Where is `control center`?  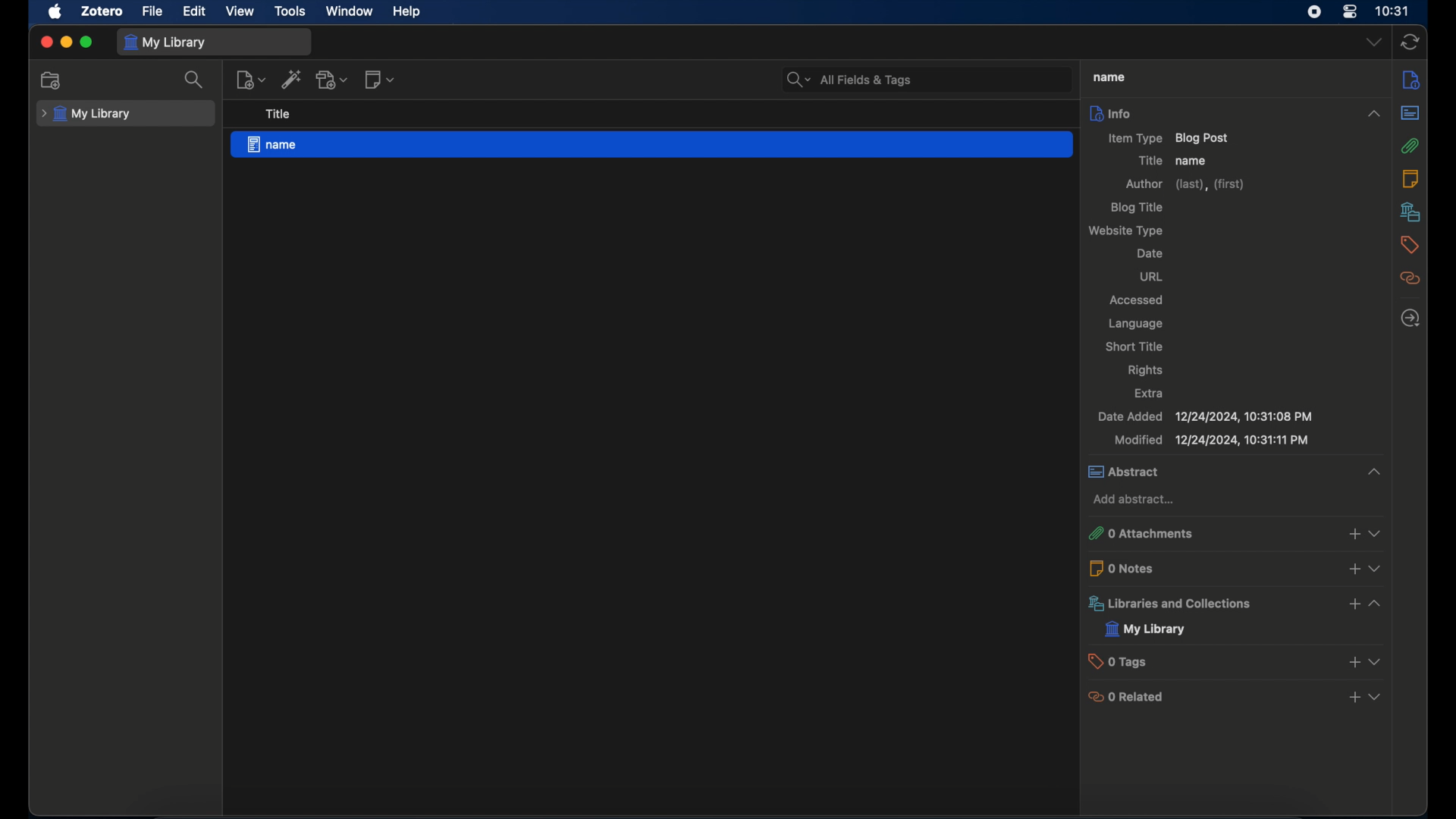 control center is located at coordinates (1351, 11).